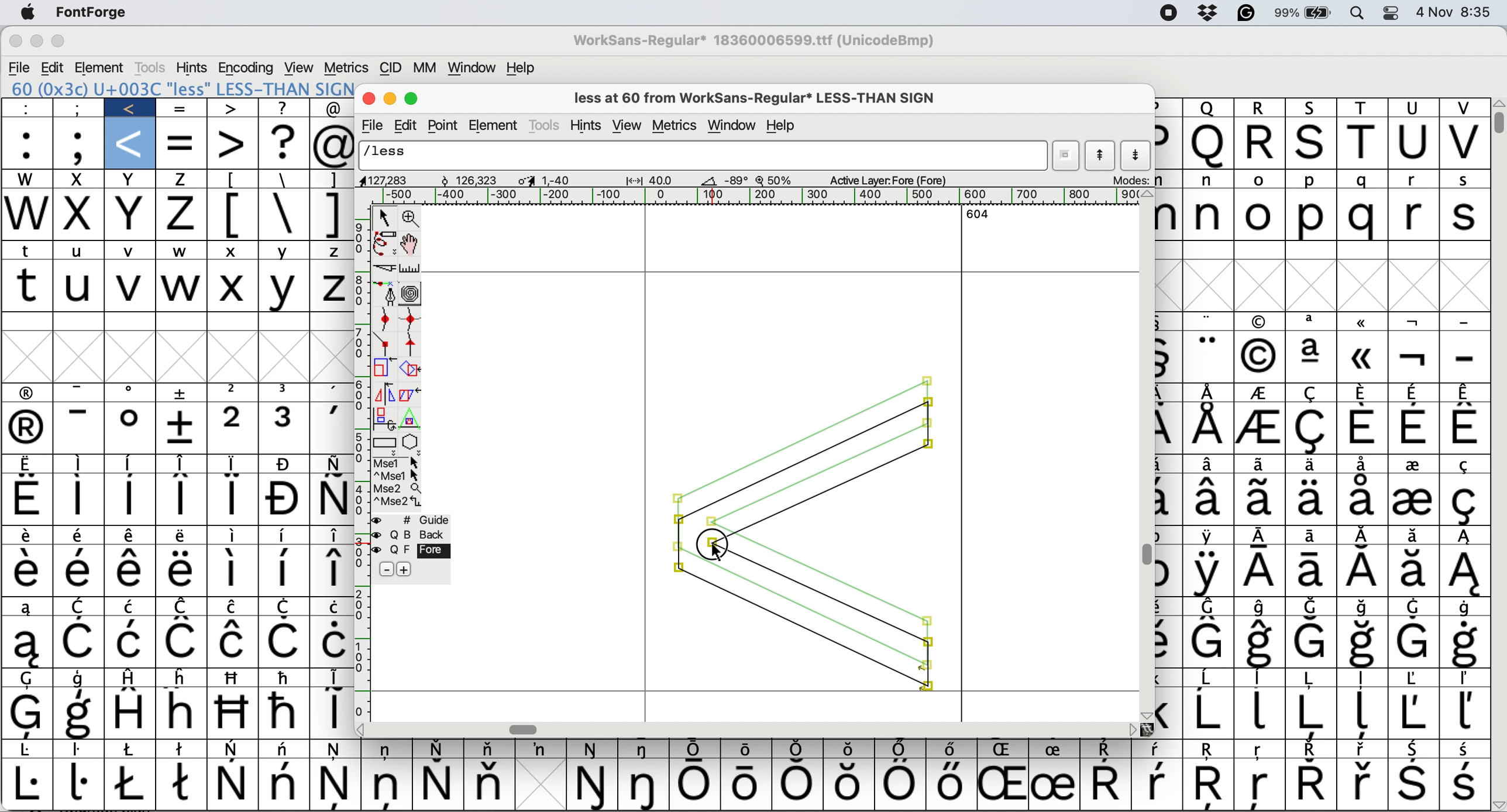  Describe the element at coordinates (29, 784) in the screenshot. I see `Symbol` at that location.